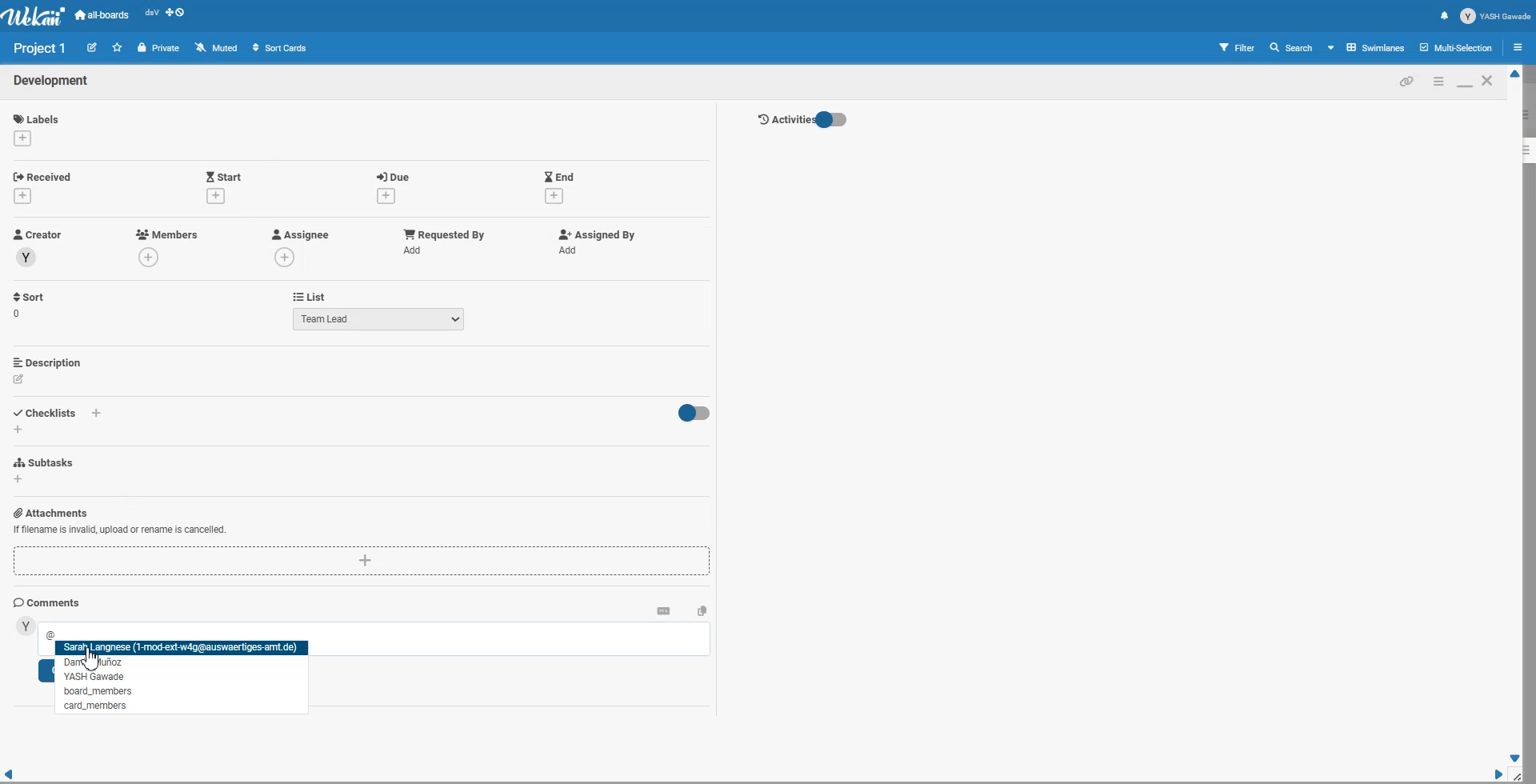 This screenshot has height=784, width=1536. Describe the element at coordinates (802, 120) in the screenshot. I see `Activity Toggle` at that location.